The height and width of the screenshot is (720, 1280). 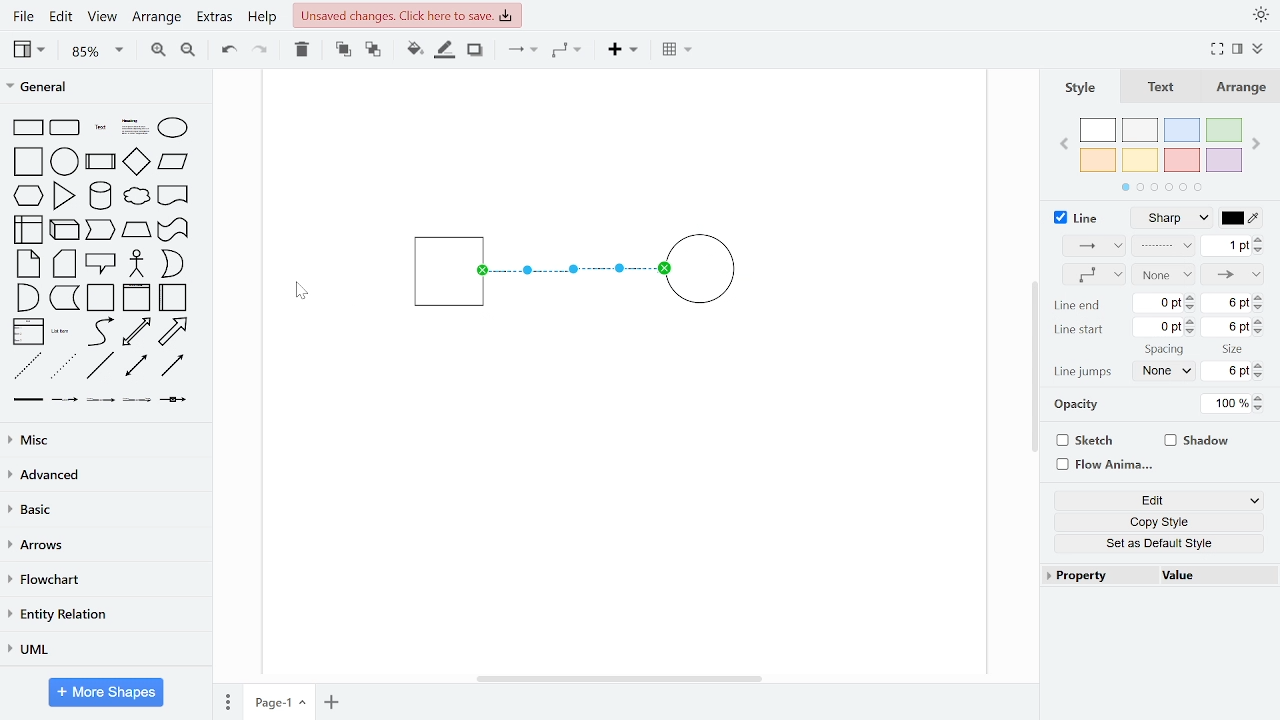 I want to click on paralellogram, so click(x=173, y=161).